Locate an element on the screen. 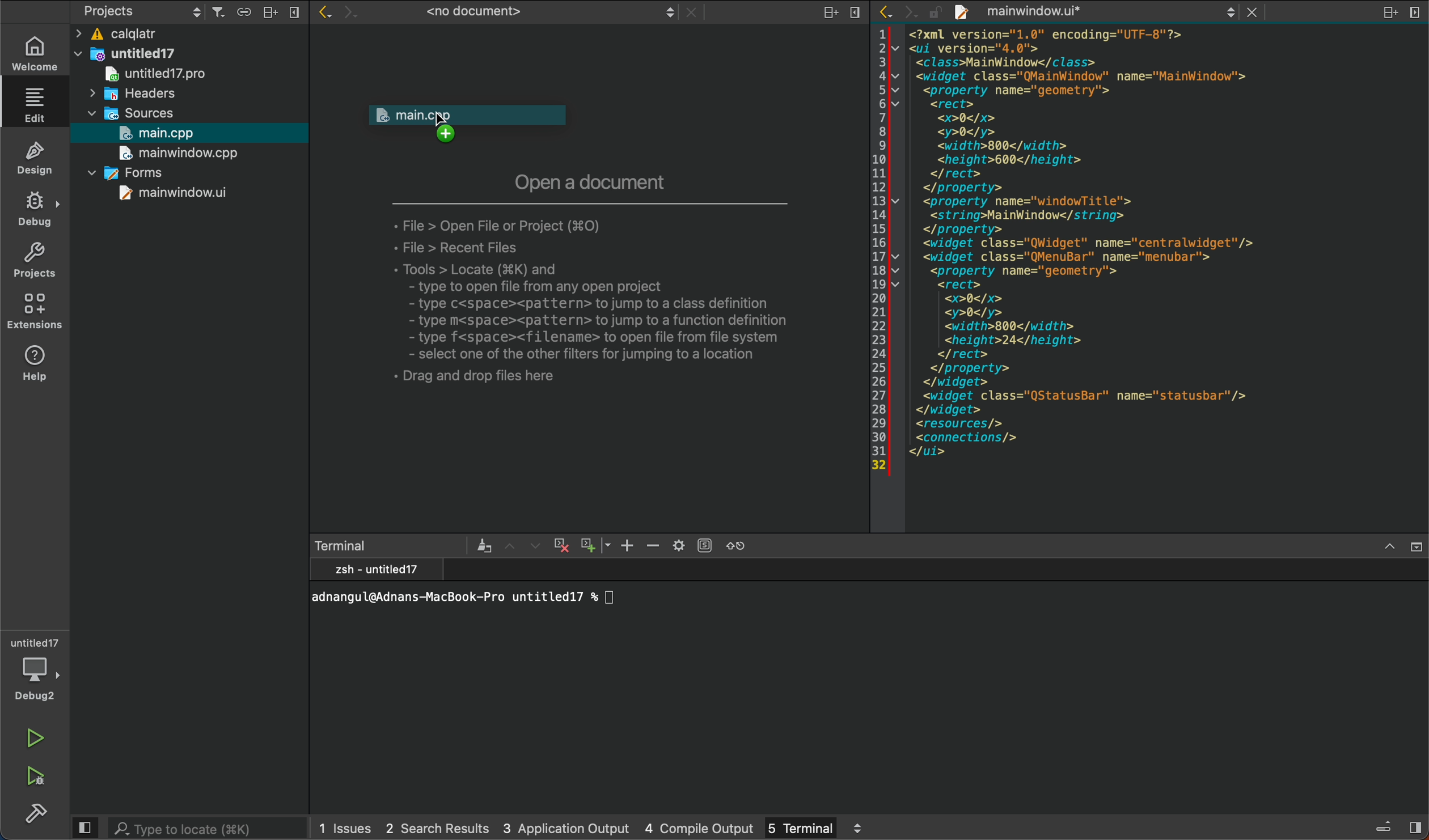  reset is located at coordinates (745, 545).